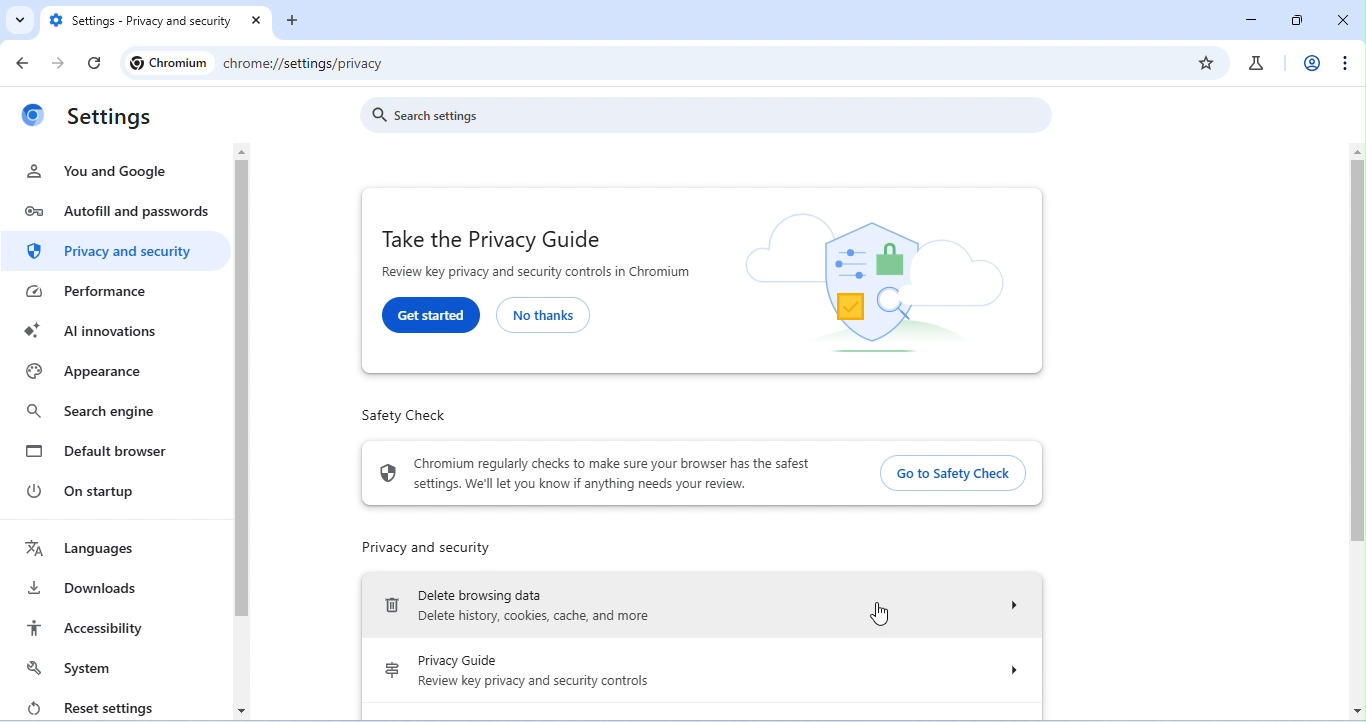 This screenshot has width=1366, height=722. What do you see at coordinates (540, 273) in the screenshot?
I see `review key privacy and security control in chromium` at bounding box center [540, 273].